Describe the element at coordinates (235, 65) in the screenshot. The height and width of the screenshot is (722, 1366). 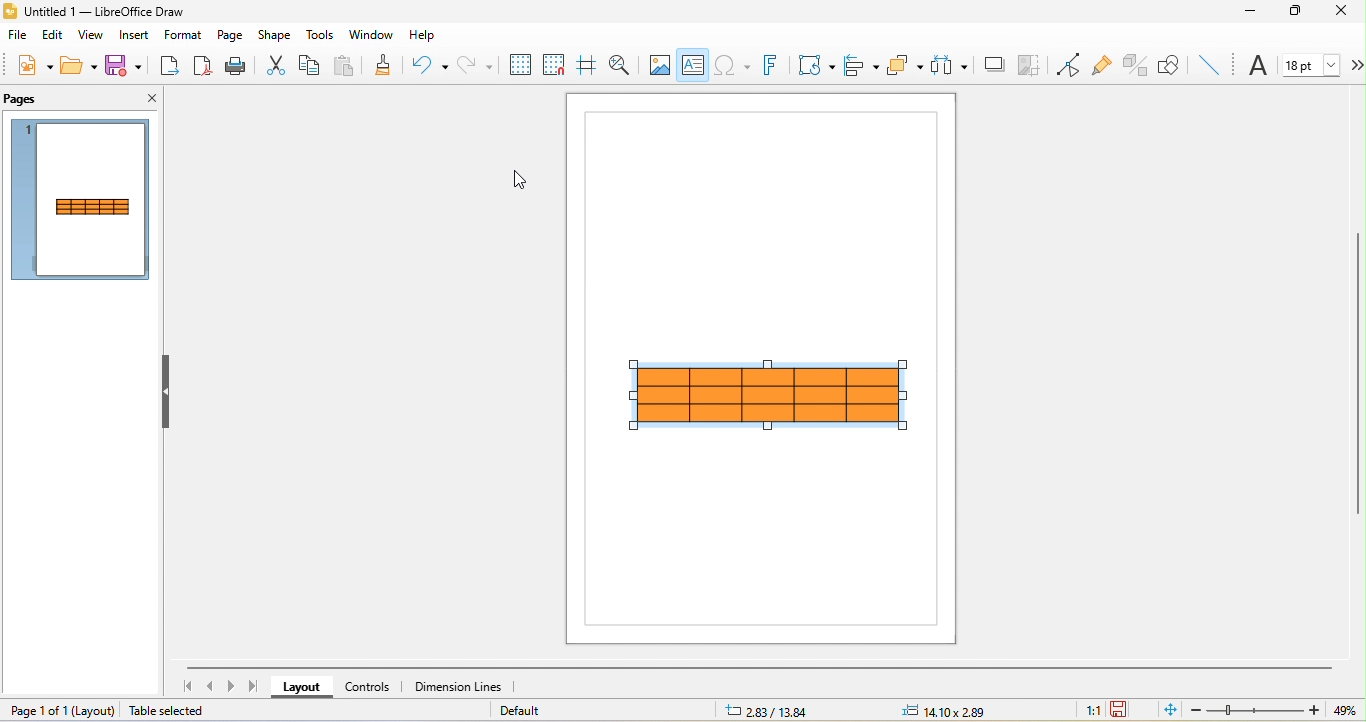
I see `print` at that location.